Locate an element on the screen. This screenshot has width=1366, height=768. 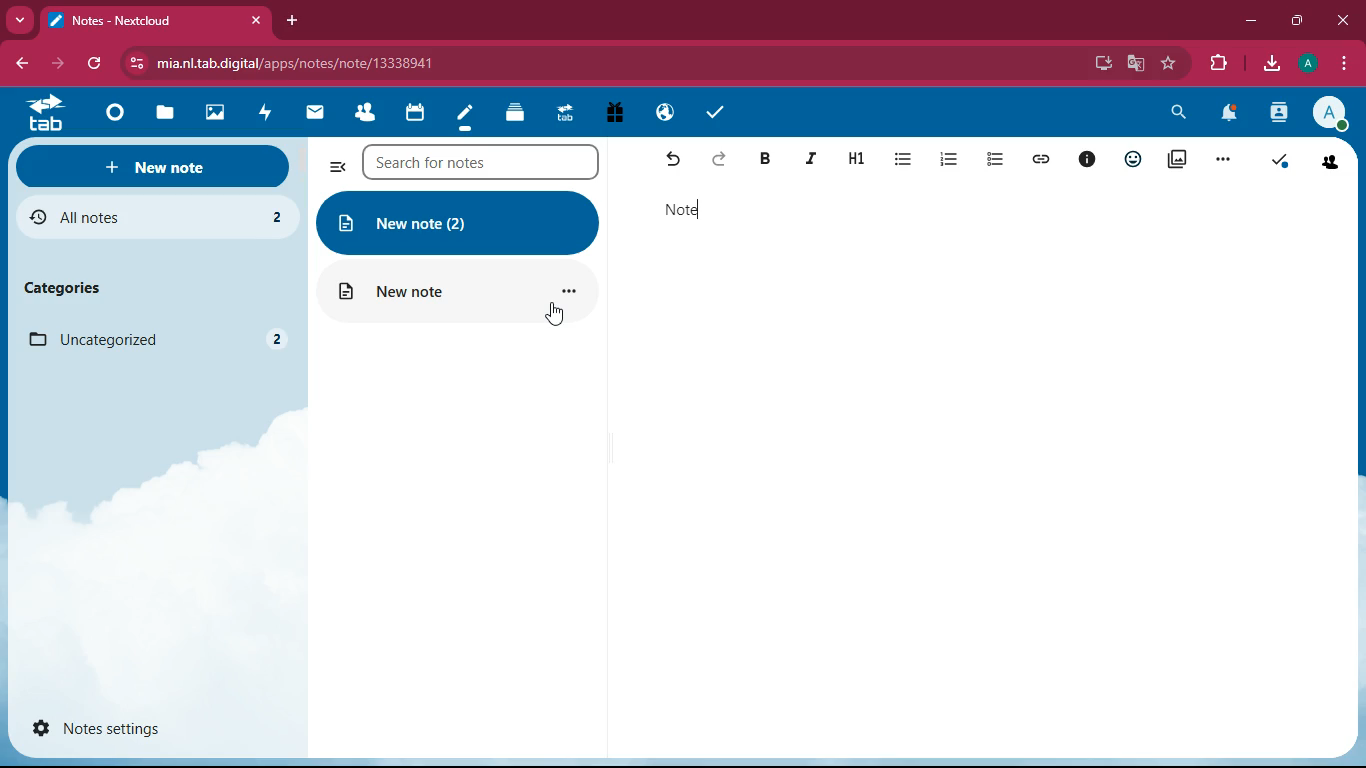
minimize is located at coordinates (1249, 20).